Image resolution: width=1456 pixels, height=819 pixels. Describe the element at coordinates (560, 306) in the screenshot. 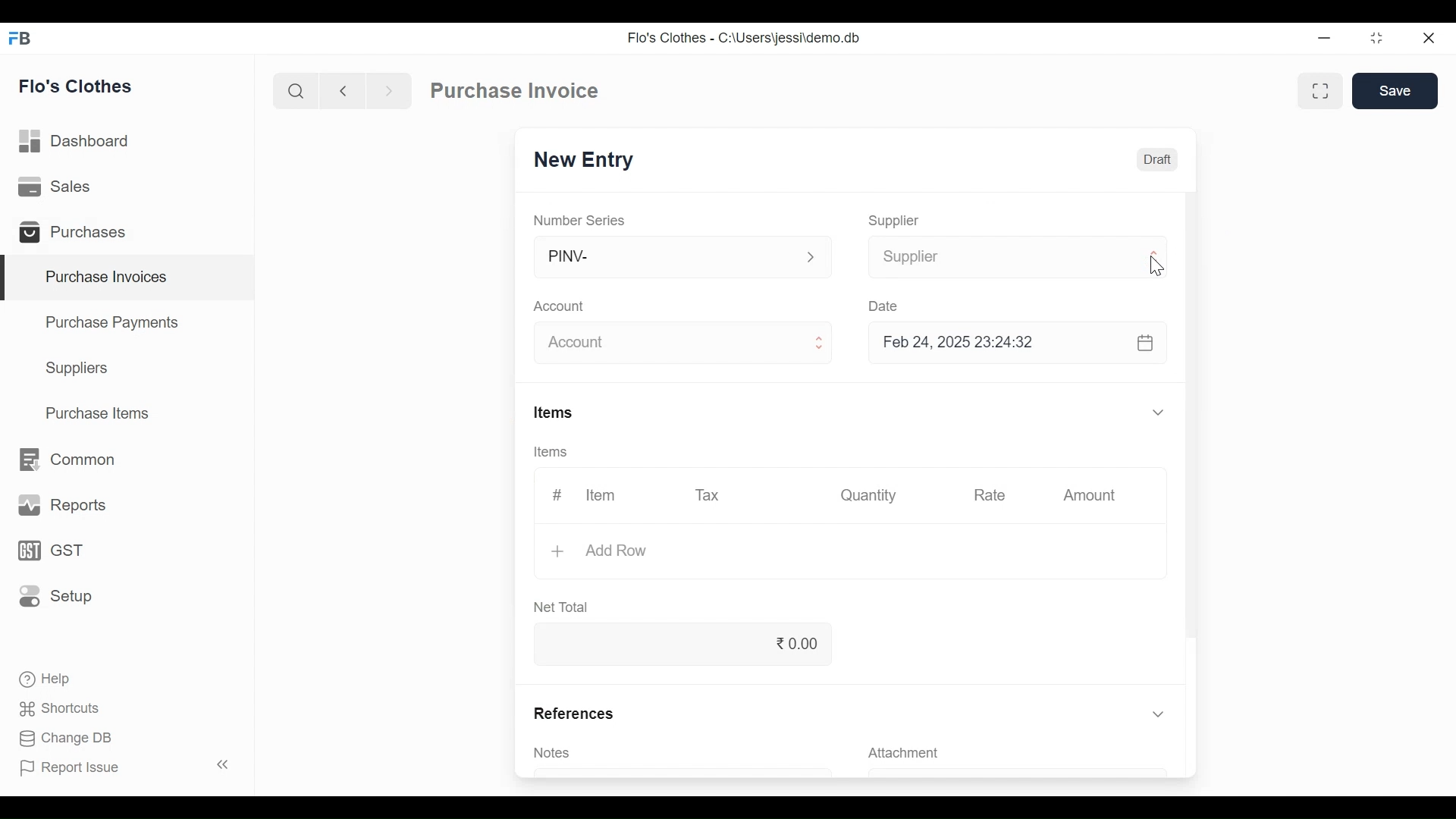

I see `Account` at that location.